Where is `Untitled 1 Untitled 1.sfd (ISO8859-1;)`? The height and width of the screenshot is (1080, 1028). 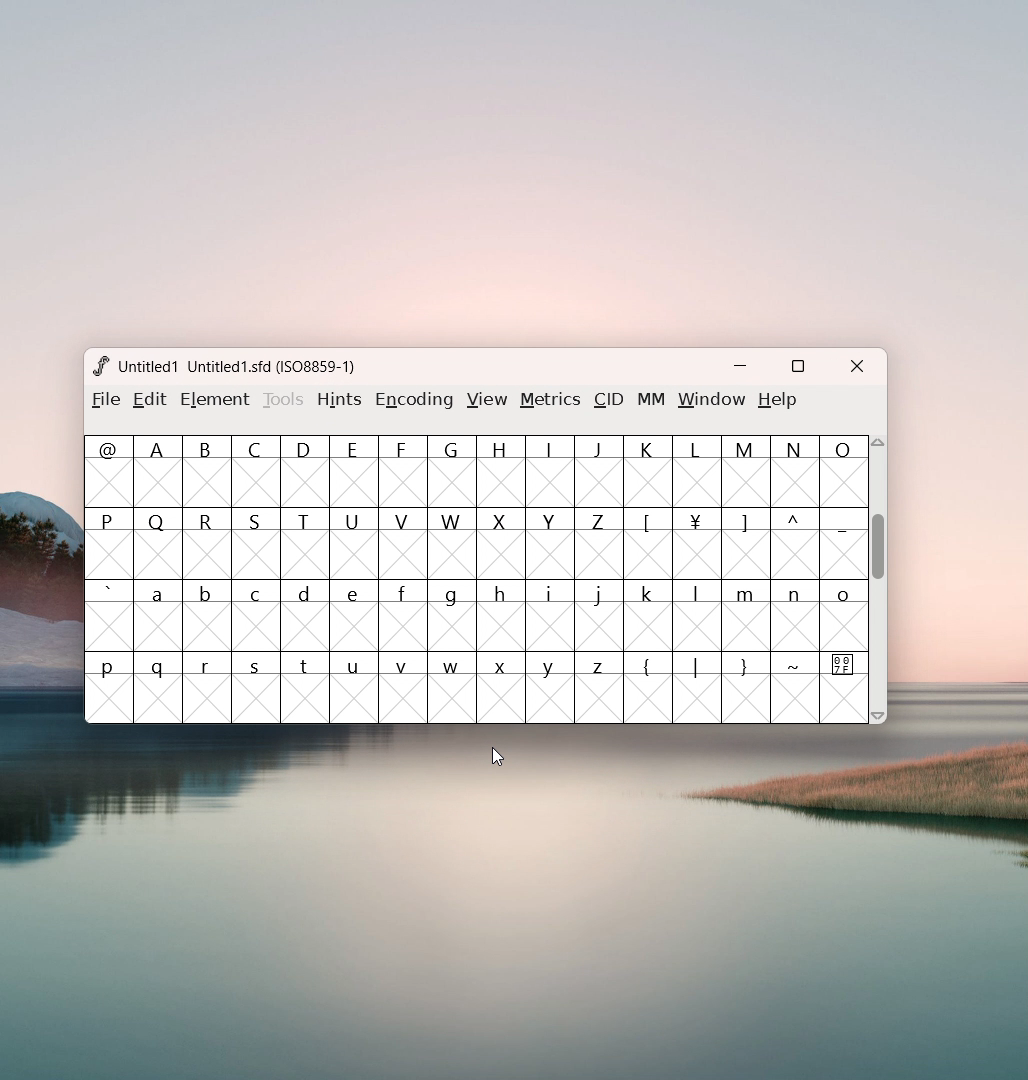 Untitled 1 Untitled 1.sfd (ISO8859-1;) is located at coordinates (235, 366).